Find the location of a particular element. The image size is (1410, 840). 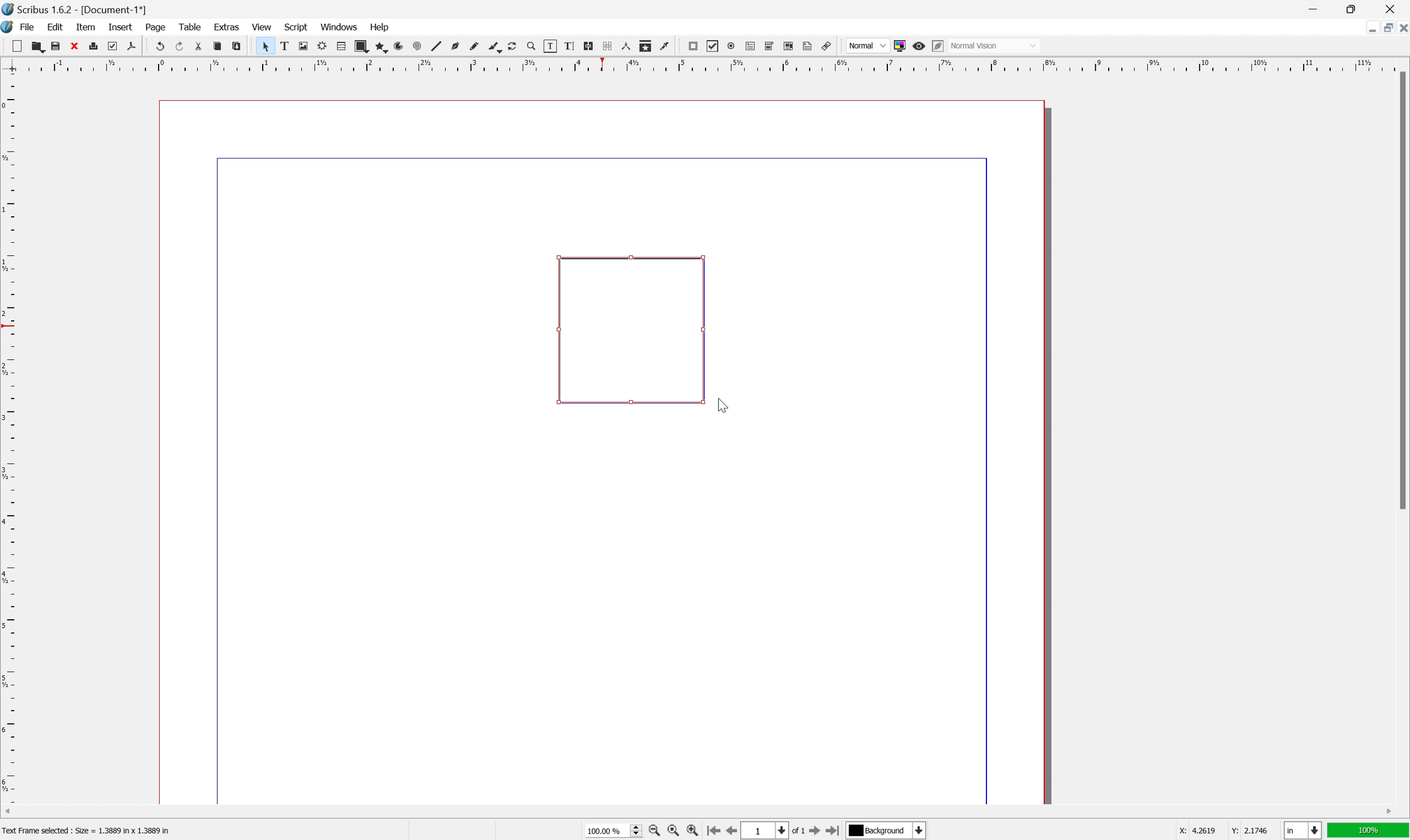

go to last page is located at coordinates (835, 830).